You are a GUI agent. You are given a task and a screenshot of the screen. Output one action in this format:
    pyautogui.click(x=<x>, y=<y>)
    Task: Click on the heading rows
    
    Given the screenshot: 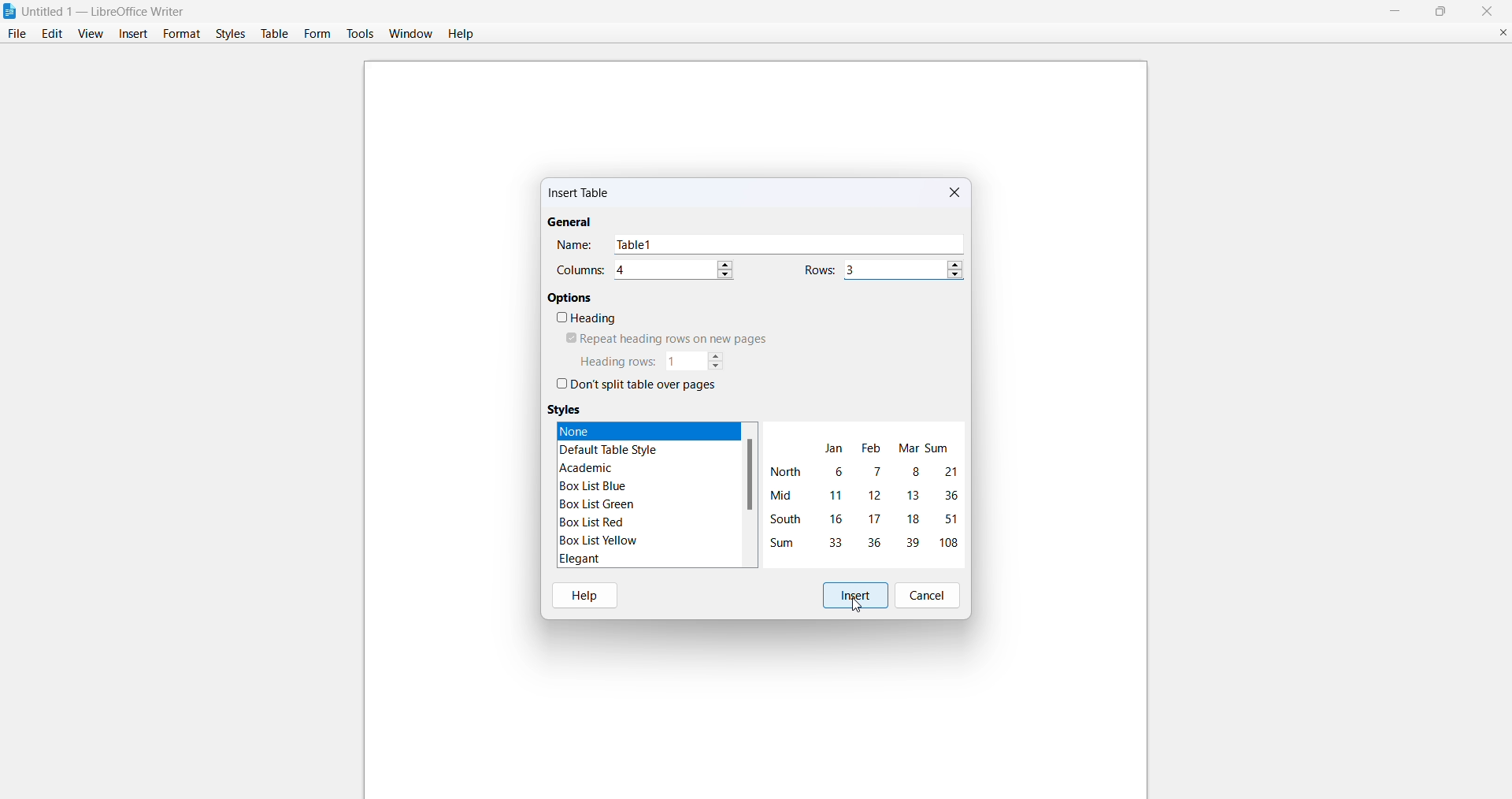 What is the action you would take?
    pyautogui.click(x=616, y=362)
    